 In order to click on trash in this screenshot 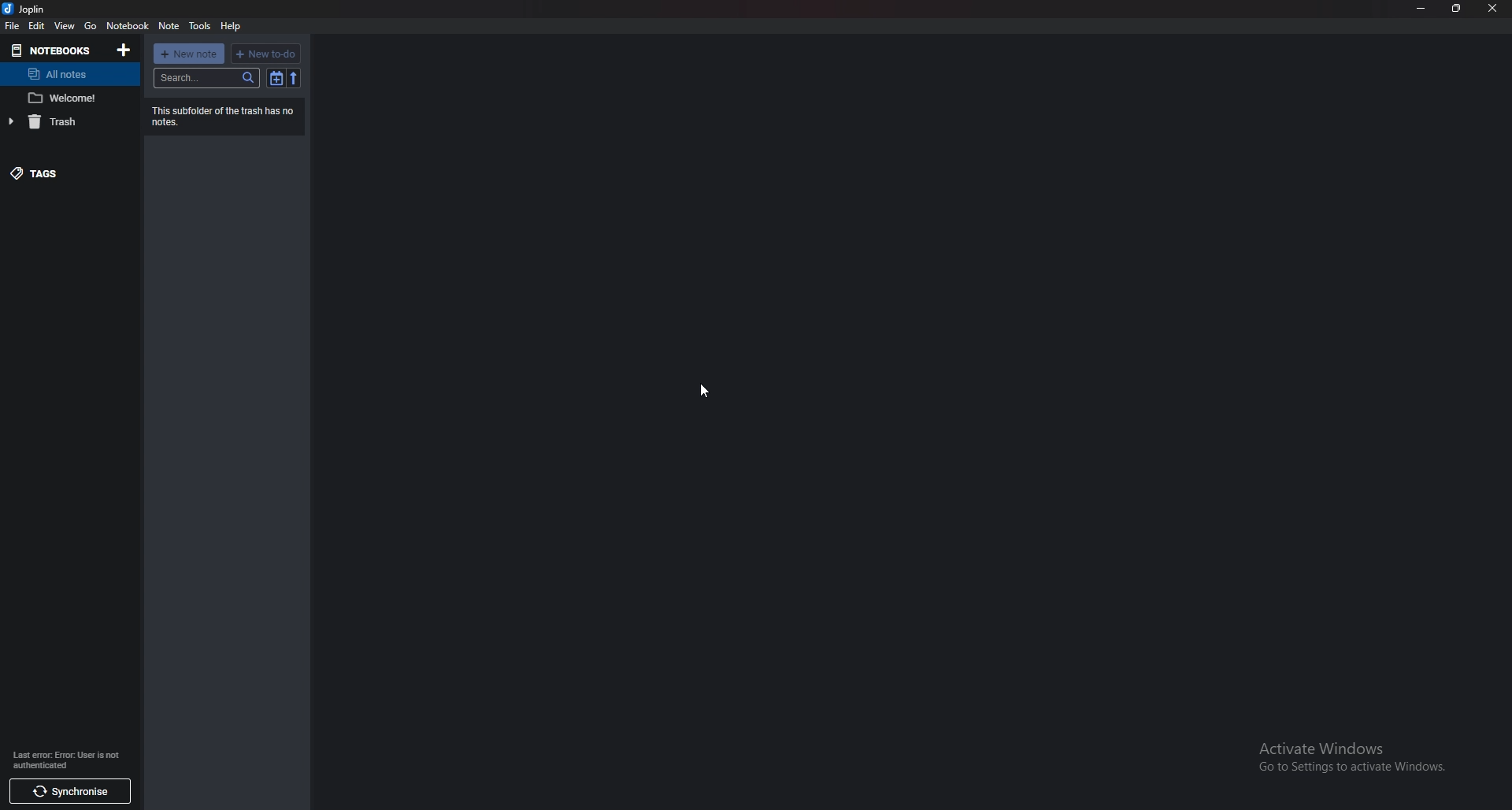, I will do `click(69, 121)`.